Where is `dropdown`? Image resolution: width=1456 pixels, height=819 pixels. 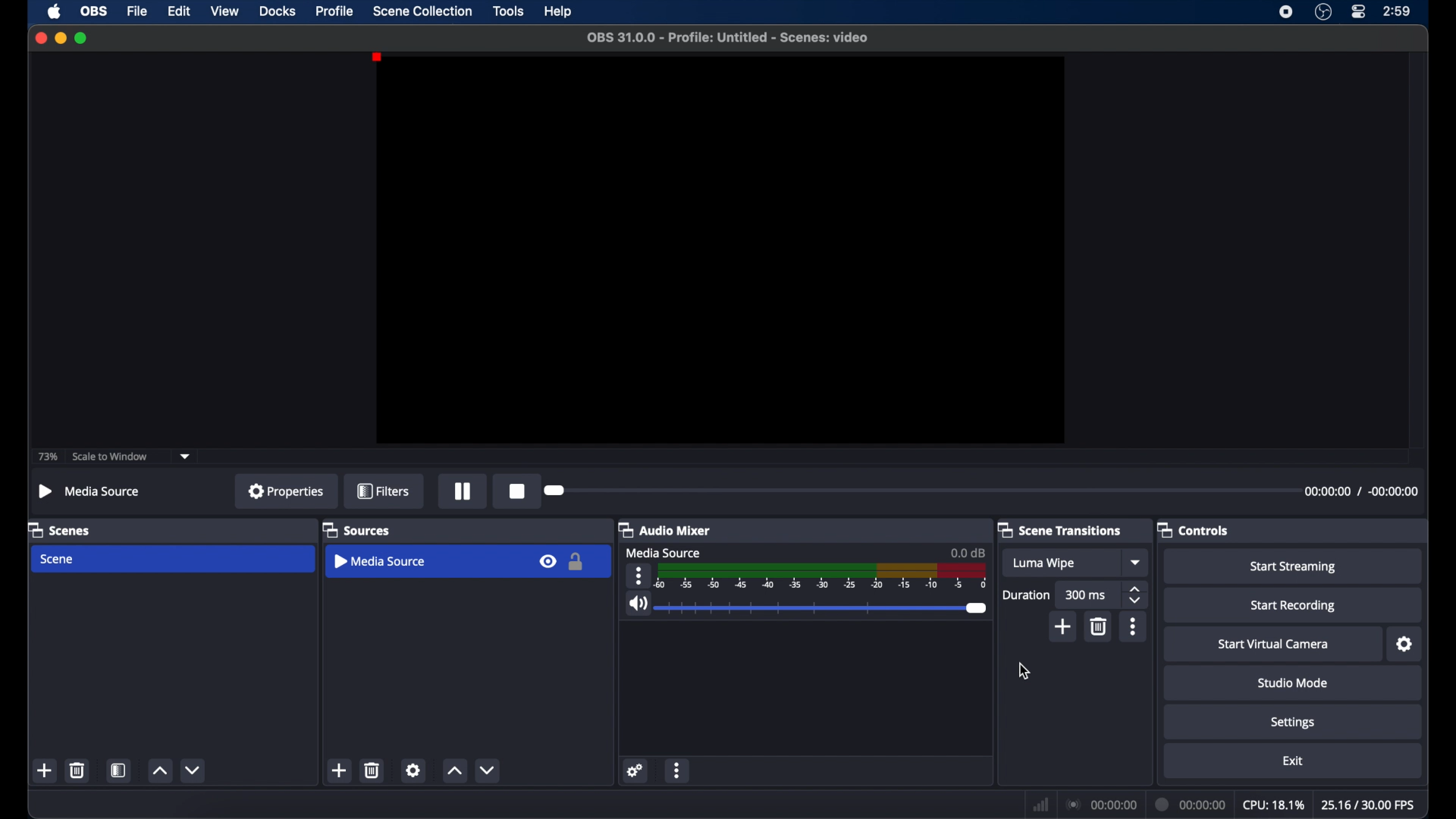
dropdown is located at coordinates (186, 457).